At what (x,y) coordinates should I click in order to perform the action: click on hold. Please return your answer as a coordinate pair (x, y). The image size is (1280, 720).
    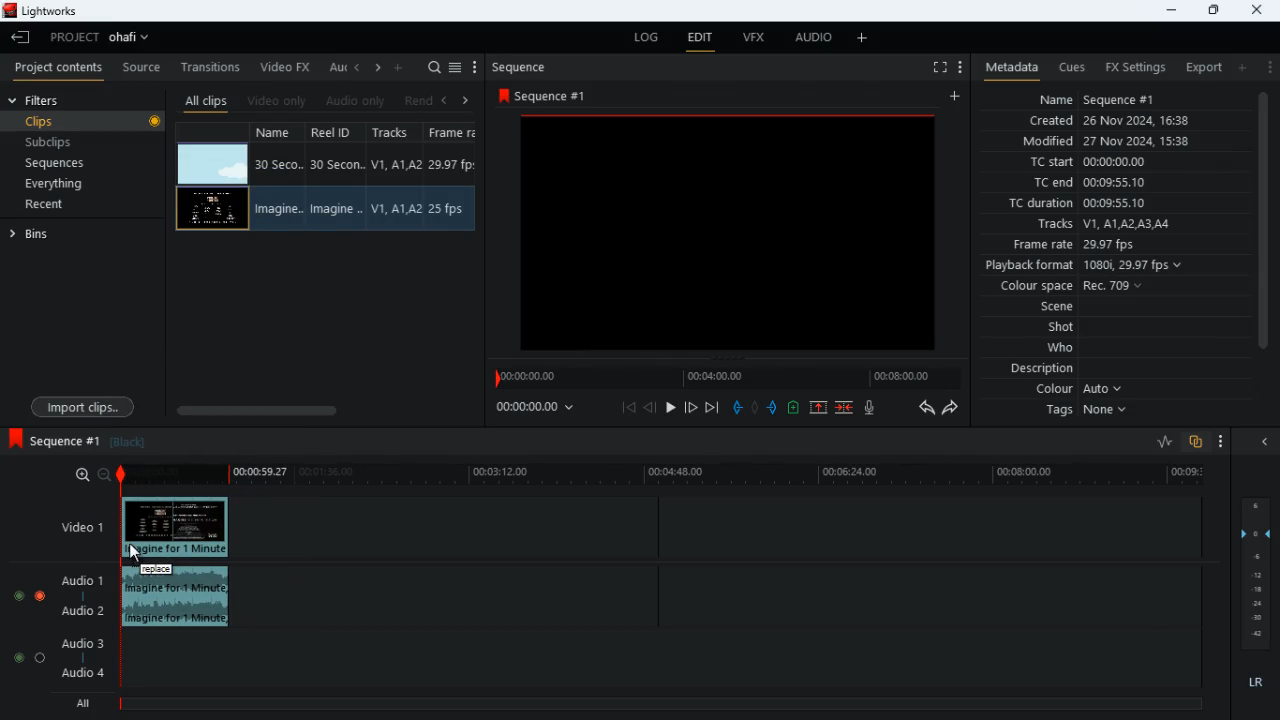
    Looking at the image, I should click on (755, 408).